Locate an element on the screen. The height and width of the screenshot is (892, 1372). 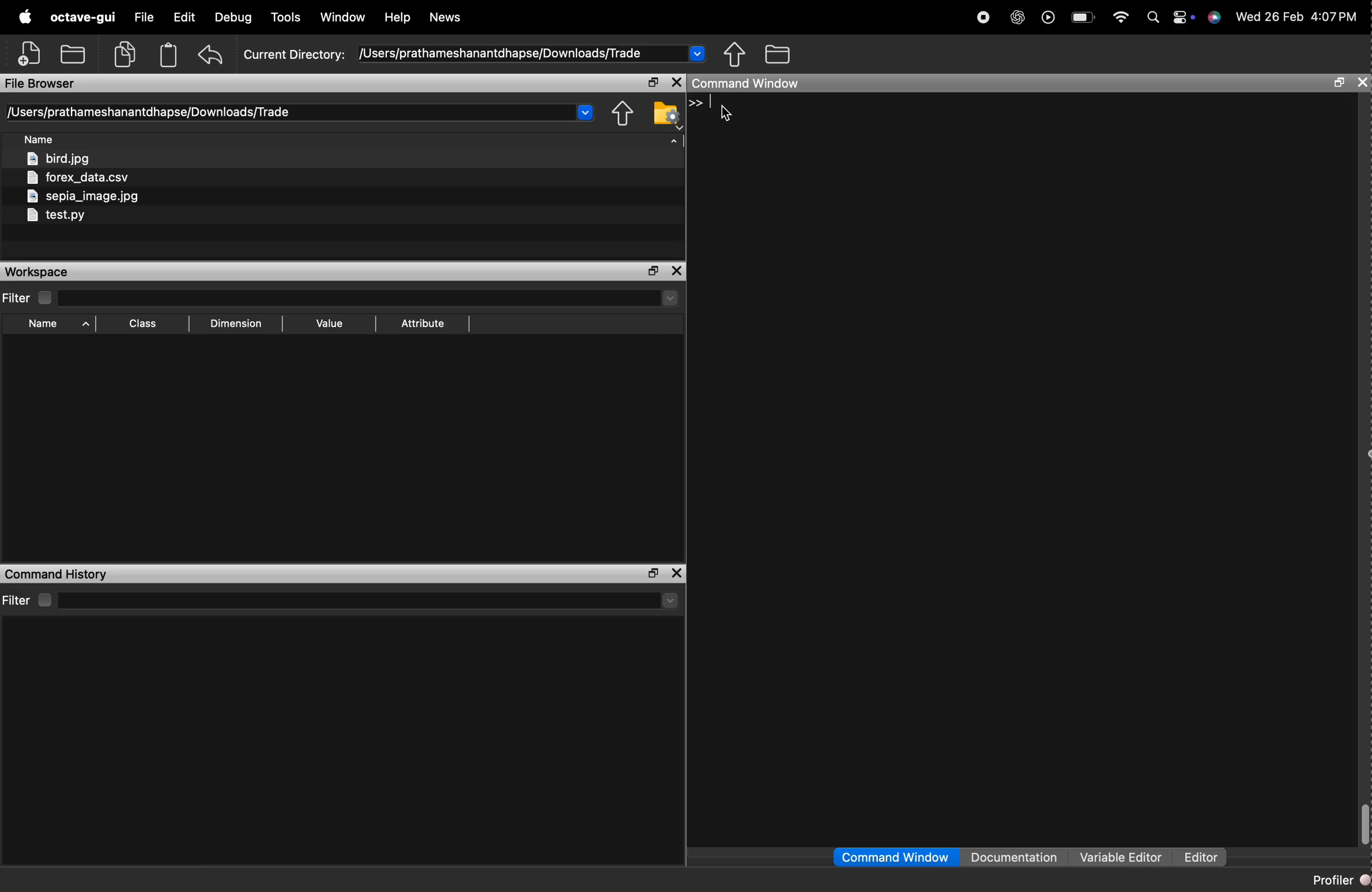
Name is located at coordinates (40, 138).